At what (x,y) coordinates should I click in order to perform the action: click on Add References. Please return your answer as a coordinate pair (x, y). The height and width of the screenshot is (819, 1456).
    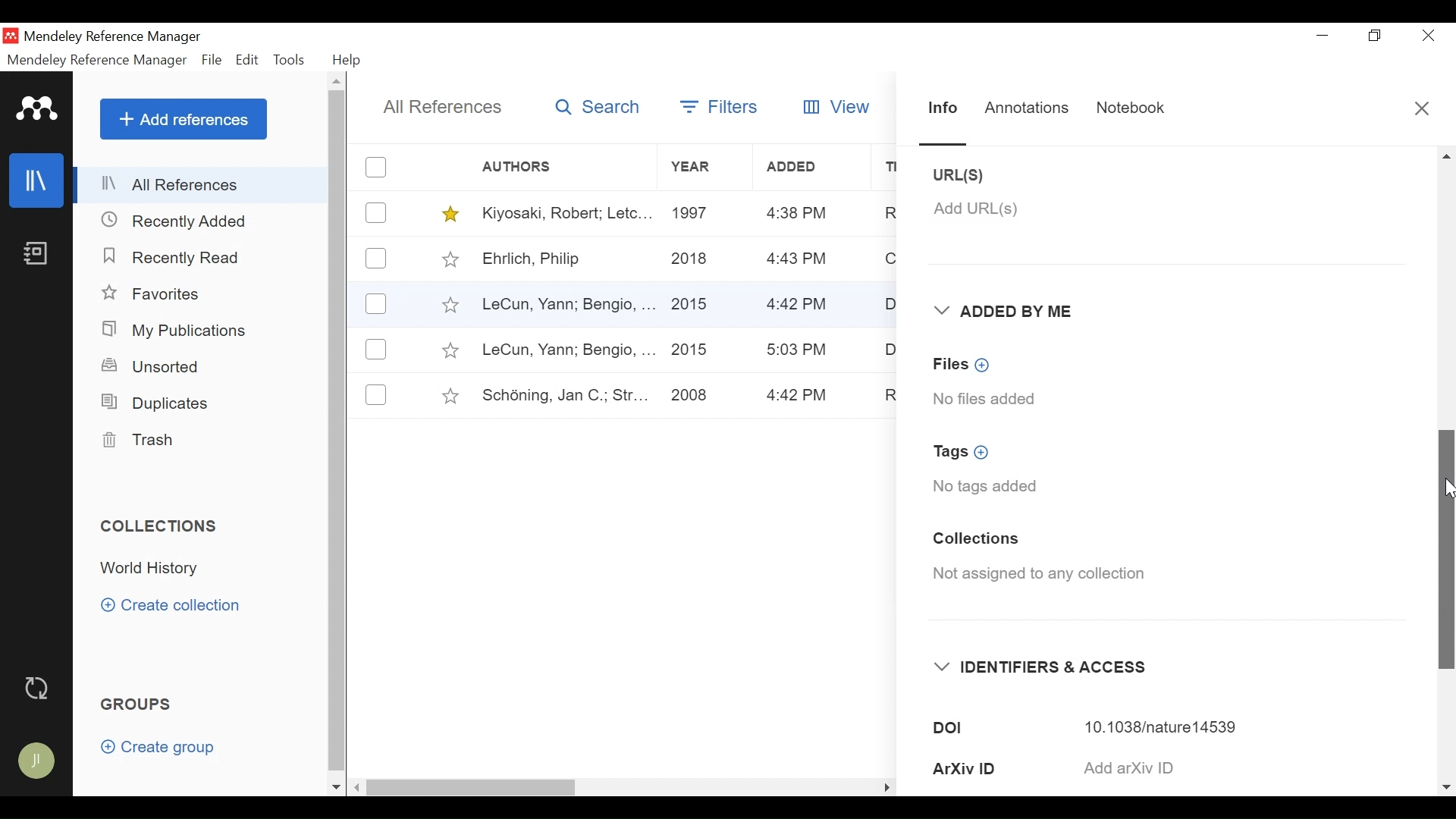
    Looking at the image, I should click on (184, 119).